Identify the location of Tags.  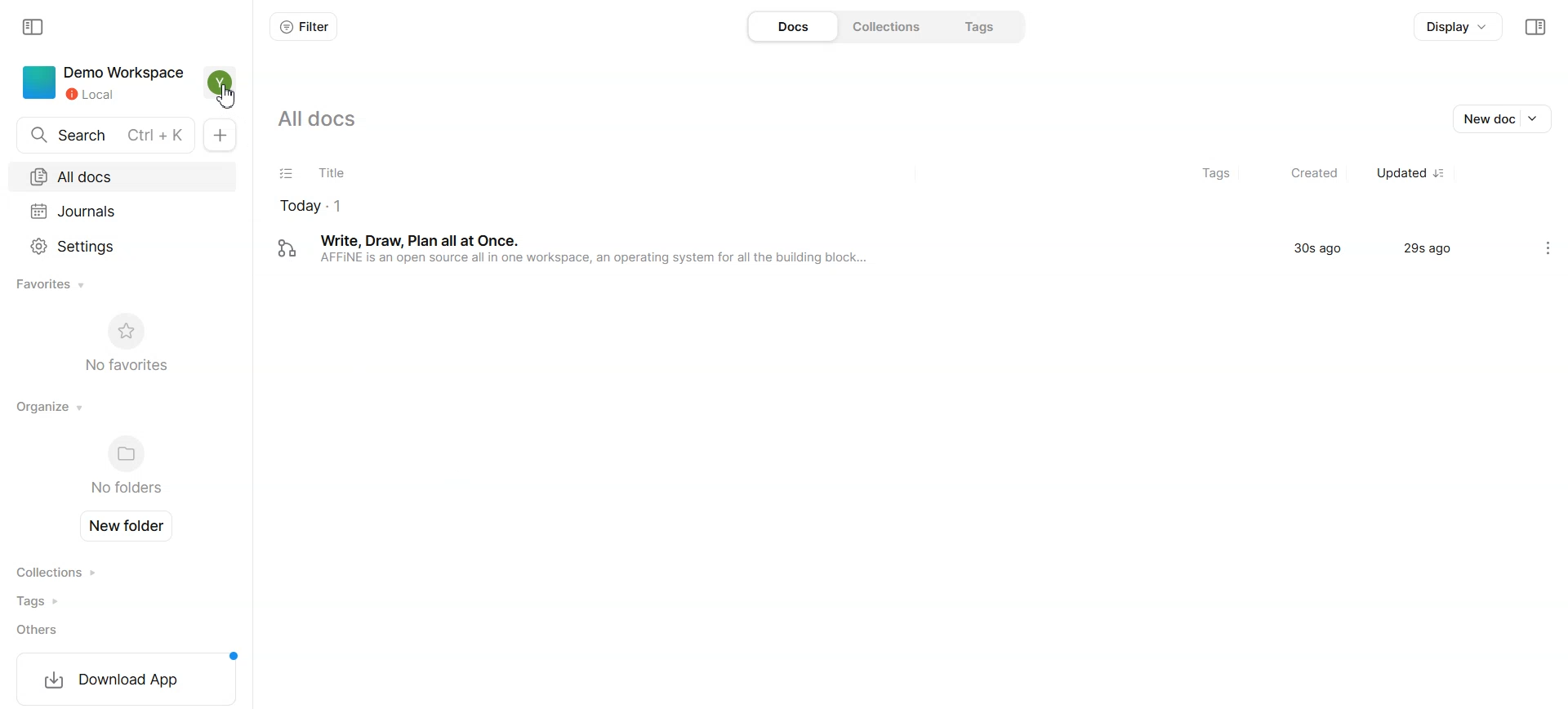
(1207, 173).